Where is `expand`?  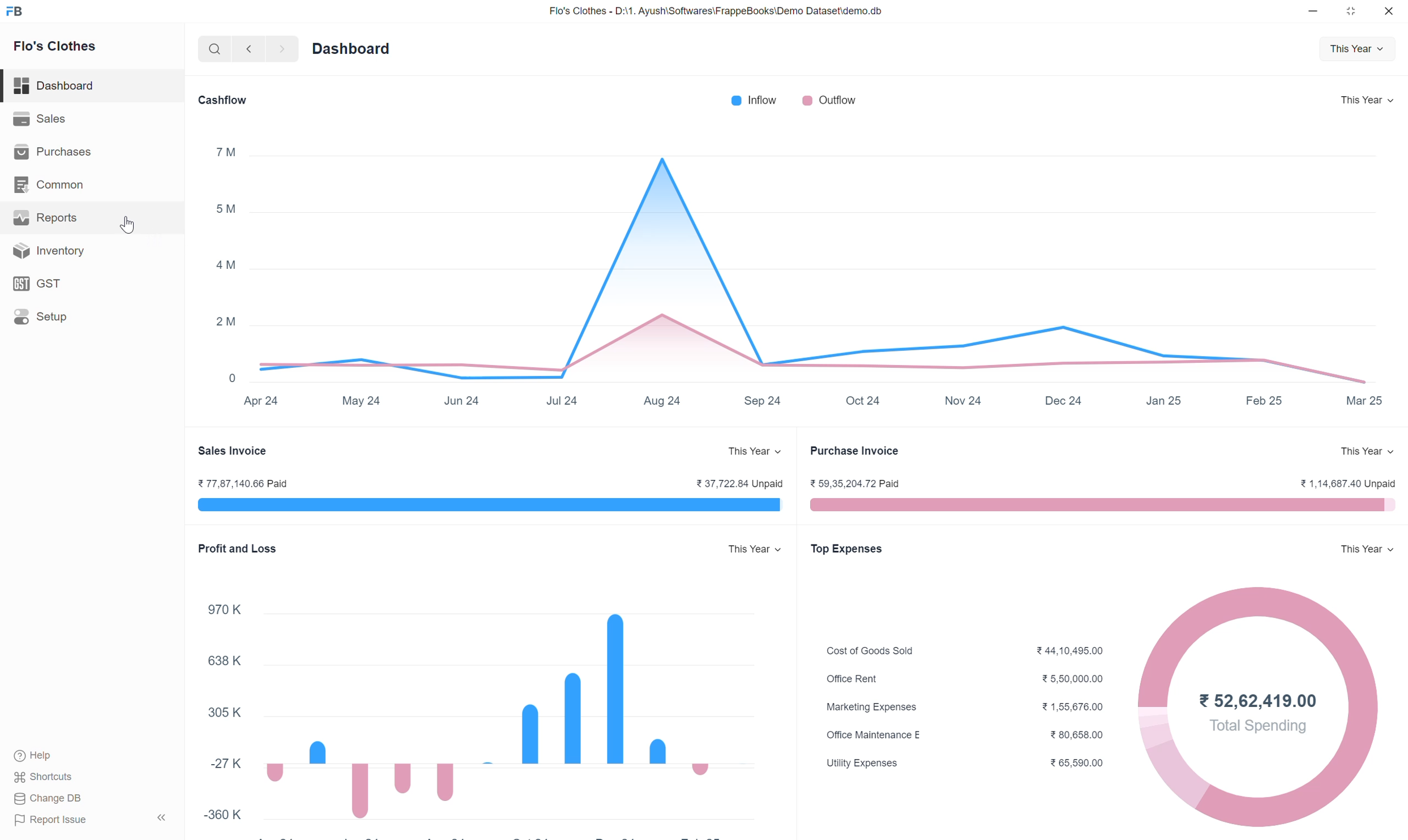
expand is located at coordinates (161, 815).